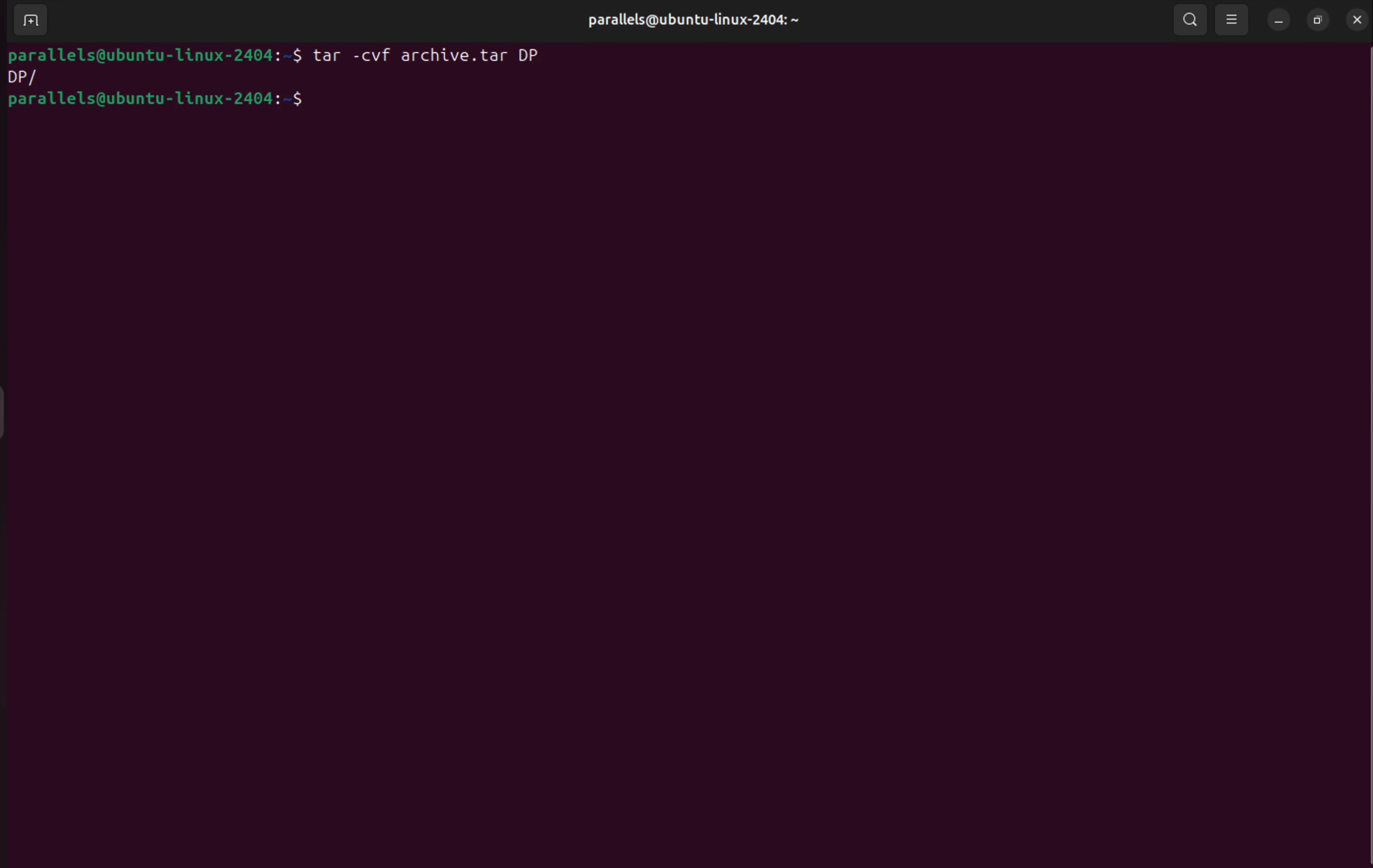  I want to click on tar -cvf archive.tar directory_name, so click(431, 59).